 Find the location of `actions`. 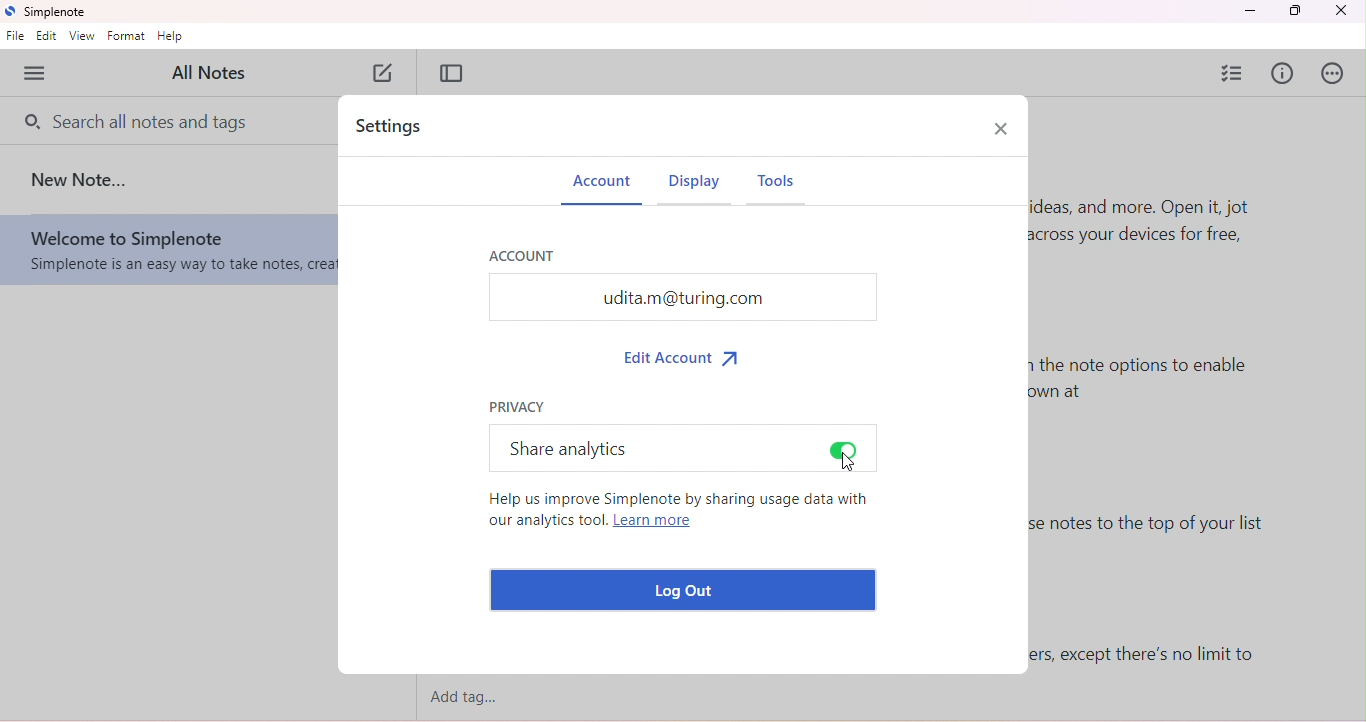

actions is located at coordinates (1336, 73).